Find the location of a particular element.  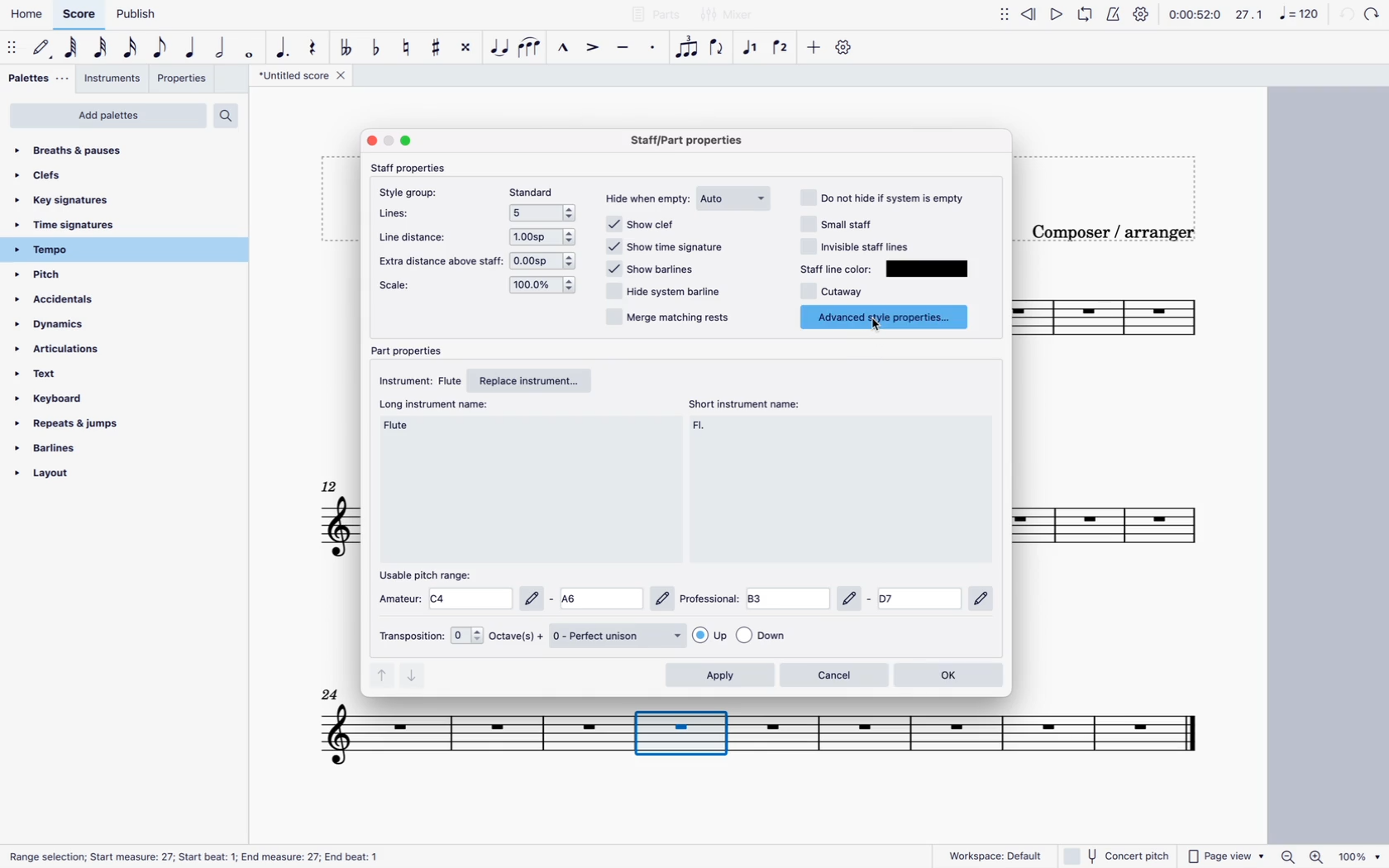

16th note is located at coordinates (131, 48).